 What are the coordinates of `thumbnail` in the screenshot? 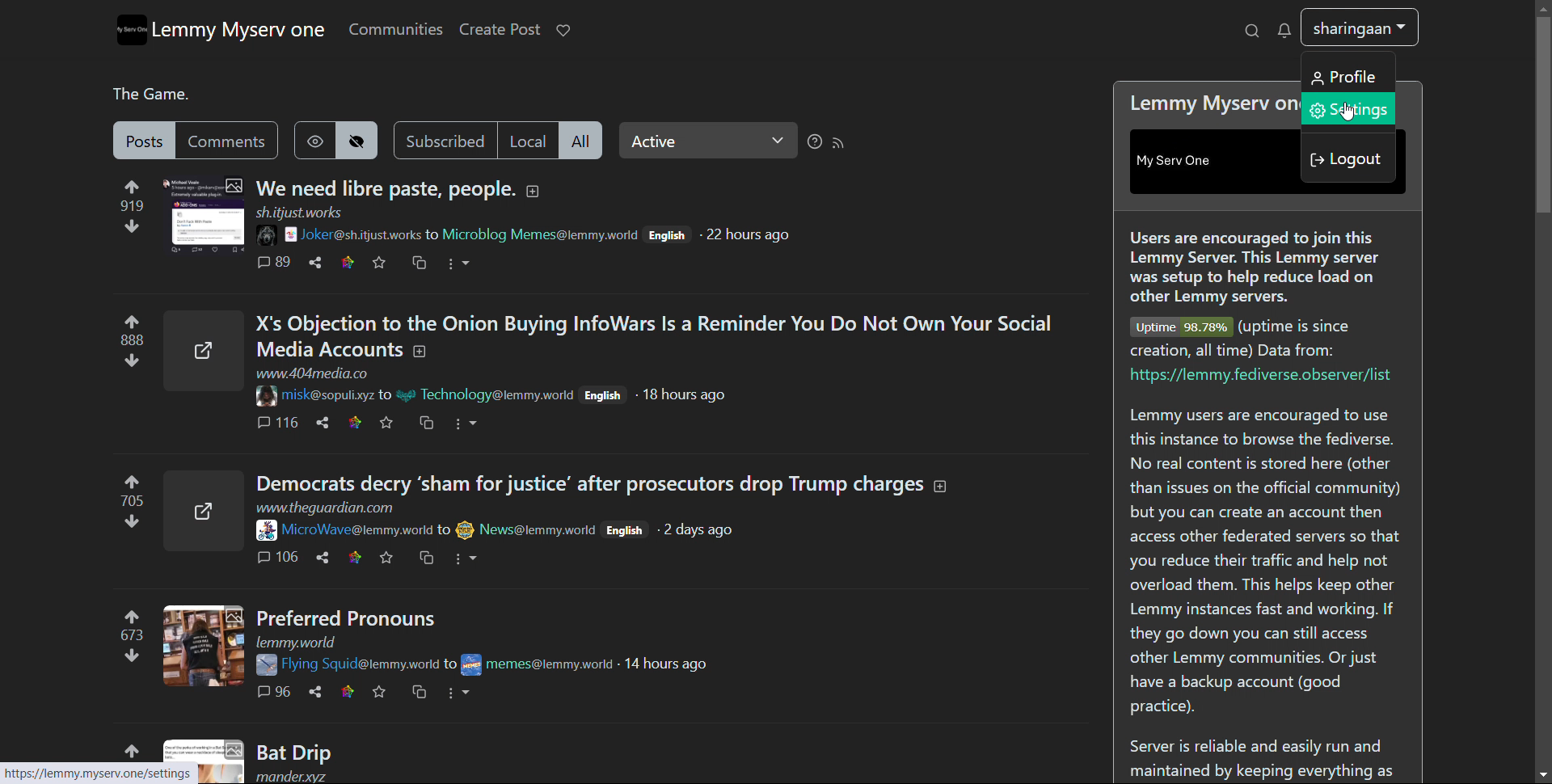 It's located at (204, 349).